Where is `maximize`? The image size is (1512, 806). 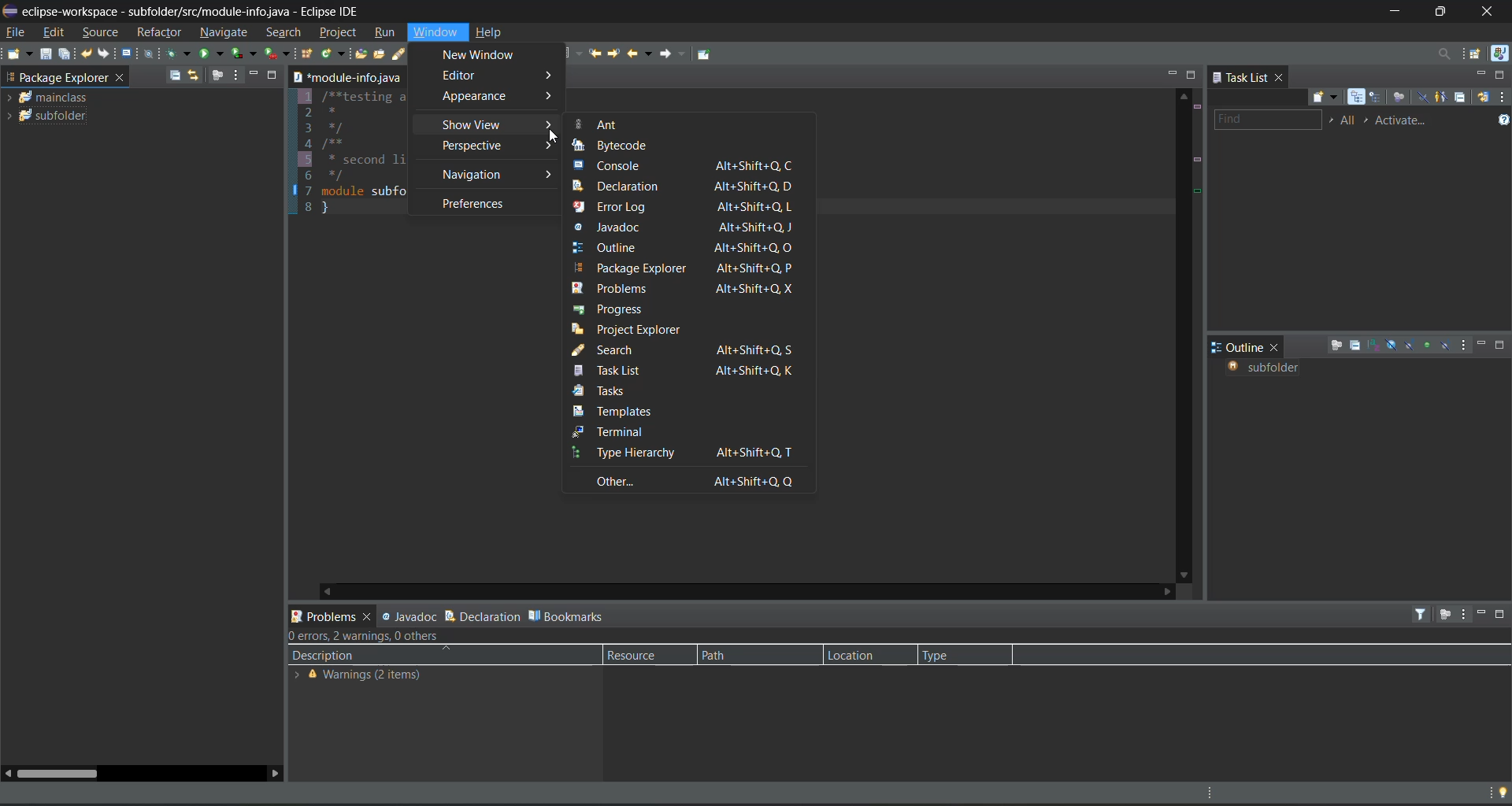
maximize is located at coordinates (1442, 12).